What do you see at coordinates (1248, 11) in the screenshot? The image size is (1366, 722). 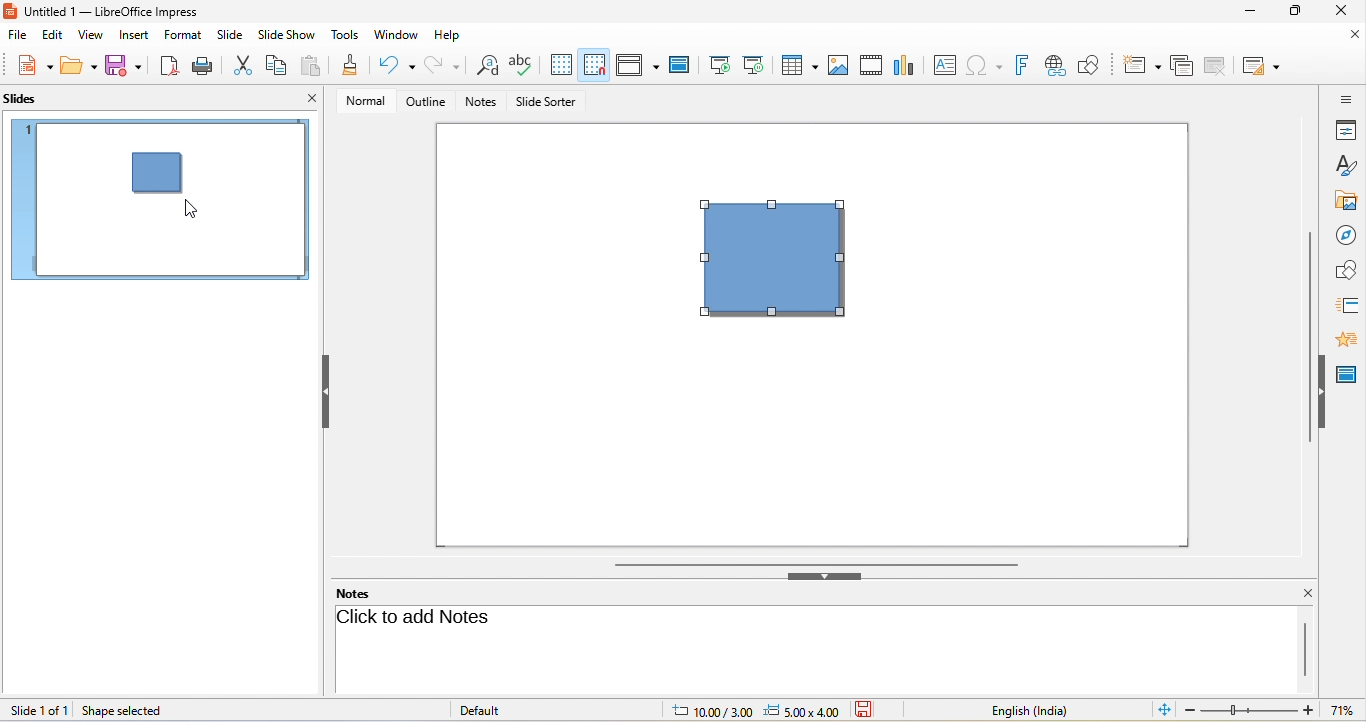 I see `minimize` at bounding box center [1248, 11].